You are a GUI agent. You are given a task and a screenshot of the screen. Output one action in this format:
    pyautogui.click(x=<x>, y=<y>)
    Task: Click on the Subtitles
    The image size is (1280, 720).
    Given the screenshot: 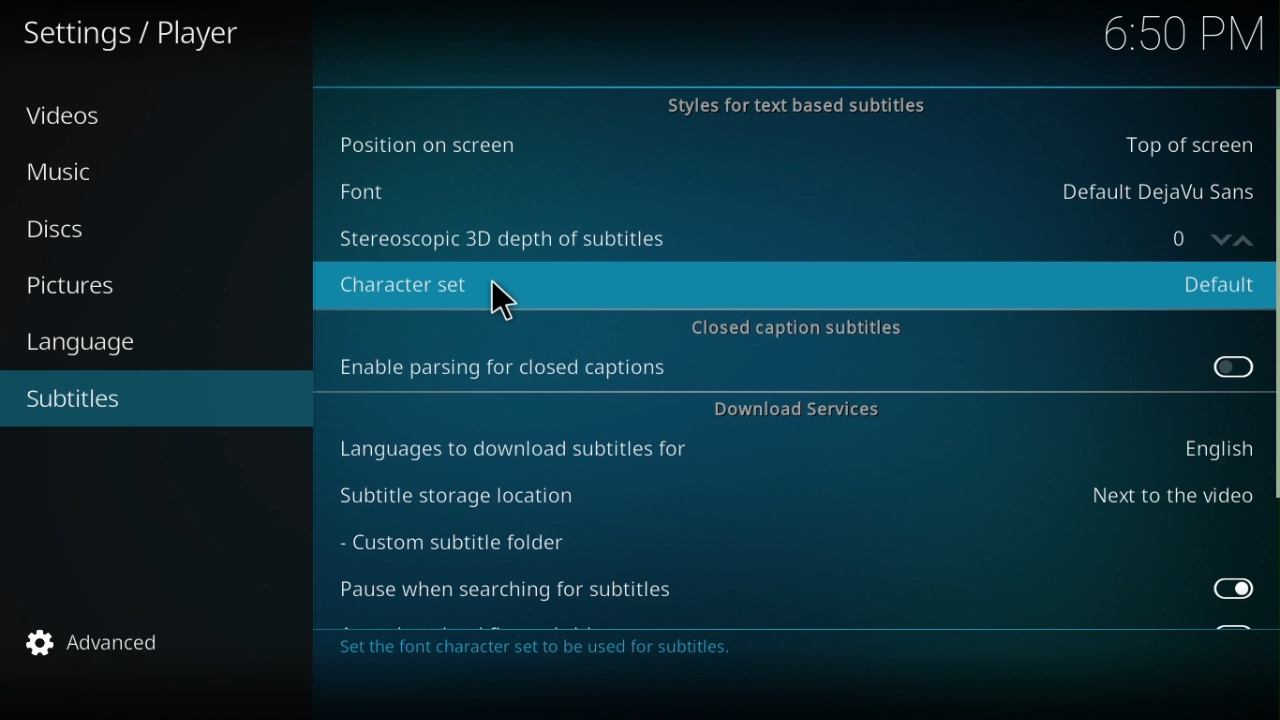 What is the action you would take?
    pyautogui.click(x=87, y=398)
    